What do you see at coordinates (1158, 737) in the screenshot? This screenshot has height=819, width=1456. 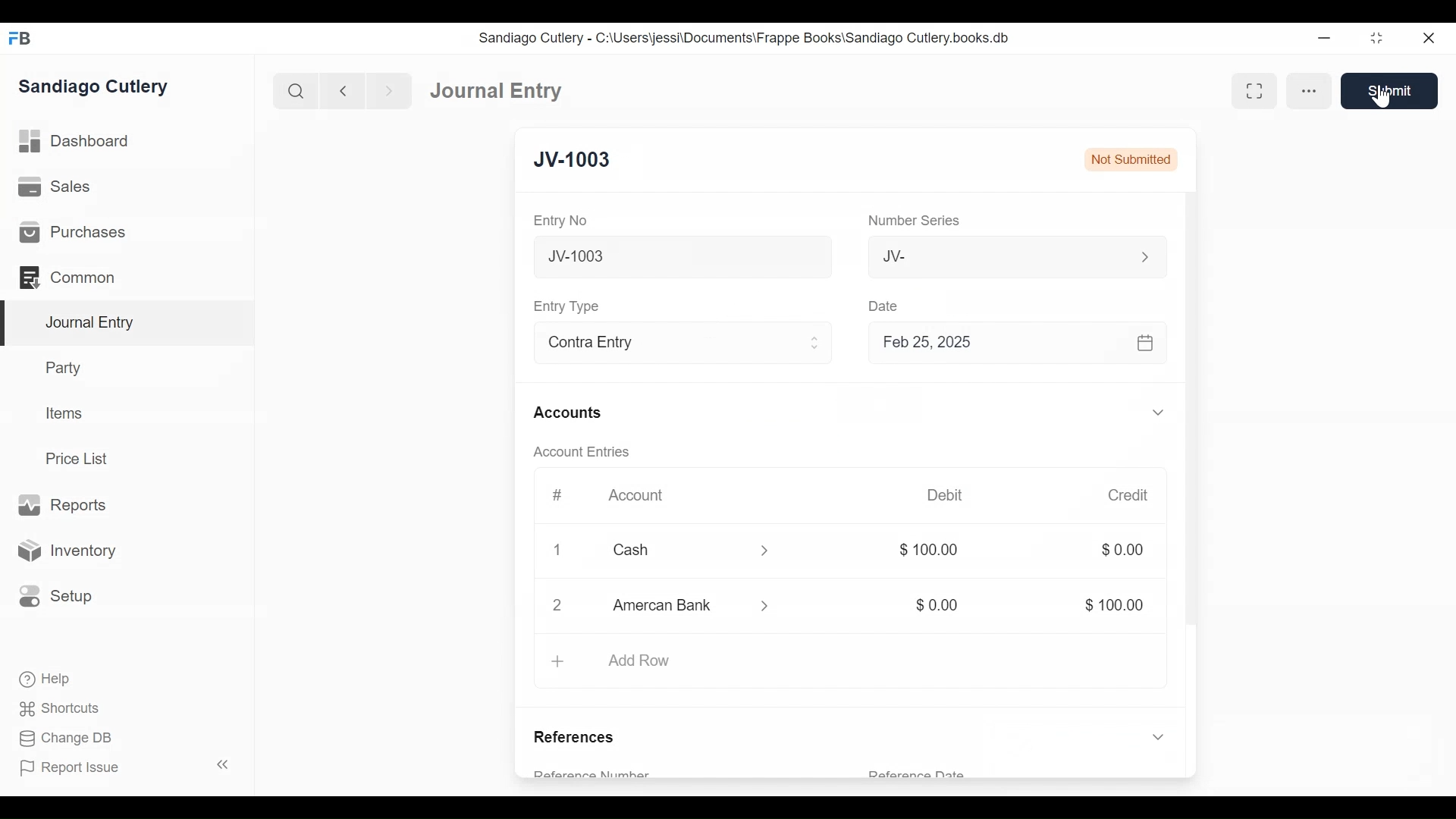 I see `Expand` at bounding box center [1158, 737].